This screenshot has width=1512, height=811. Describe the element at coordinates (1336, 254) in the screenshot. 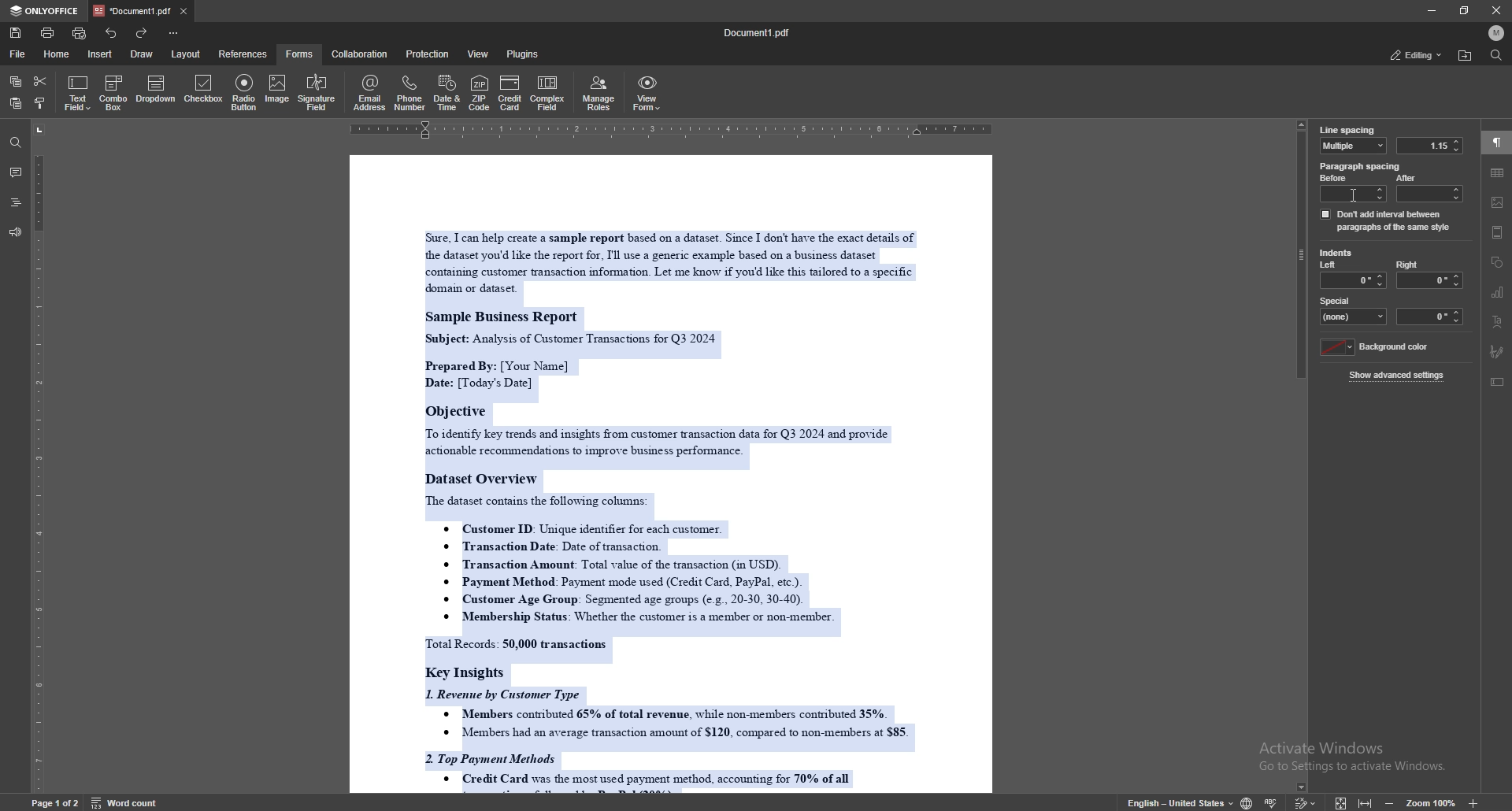

I see `indents` at that location.